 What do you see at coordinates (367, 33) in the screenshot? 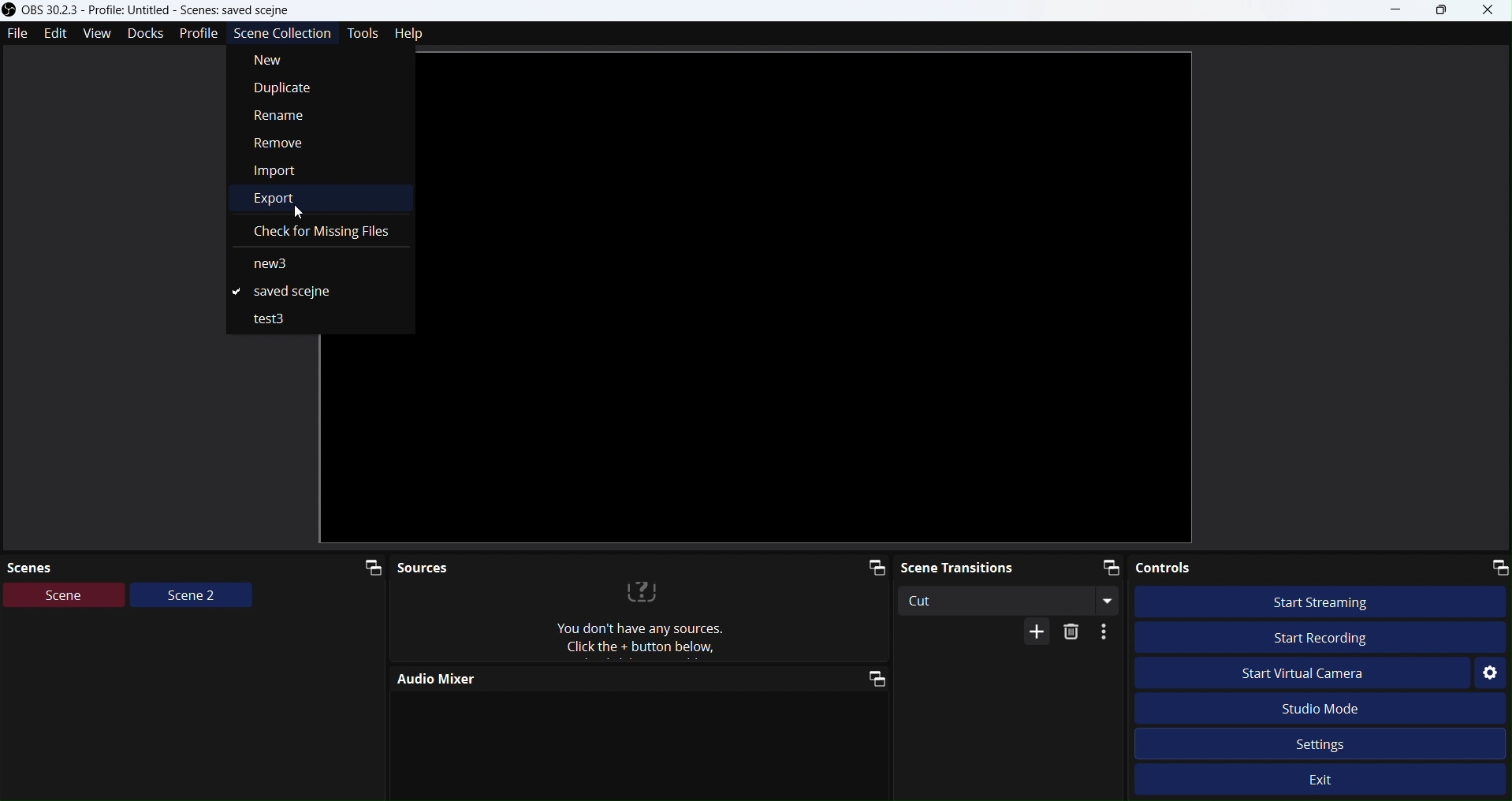
I see `Tools` at bounding box center [367, 33].